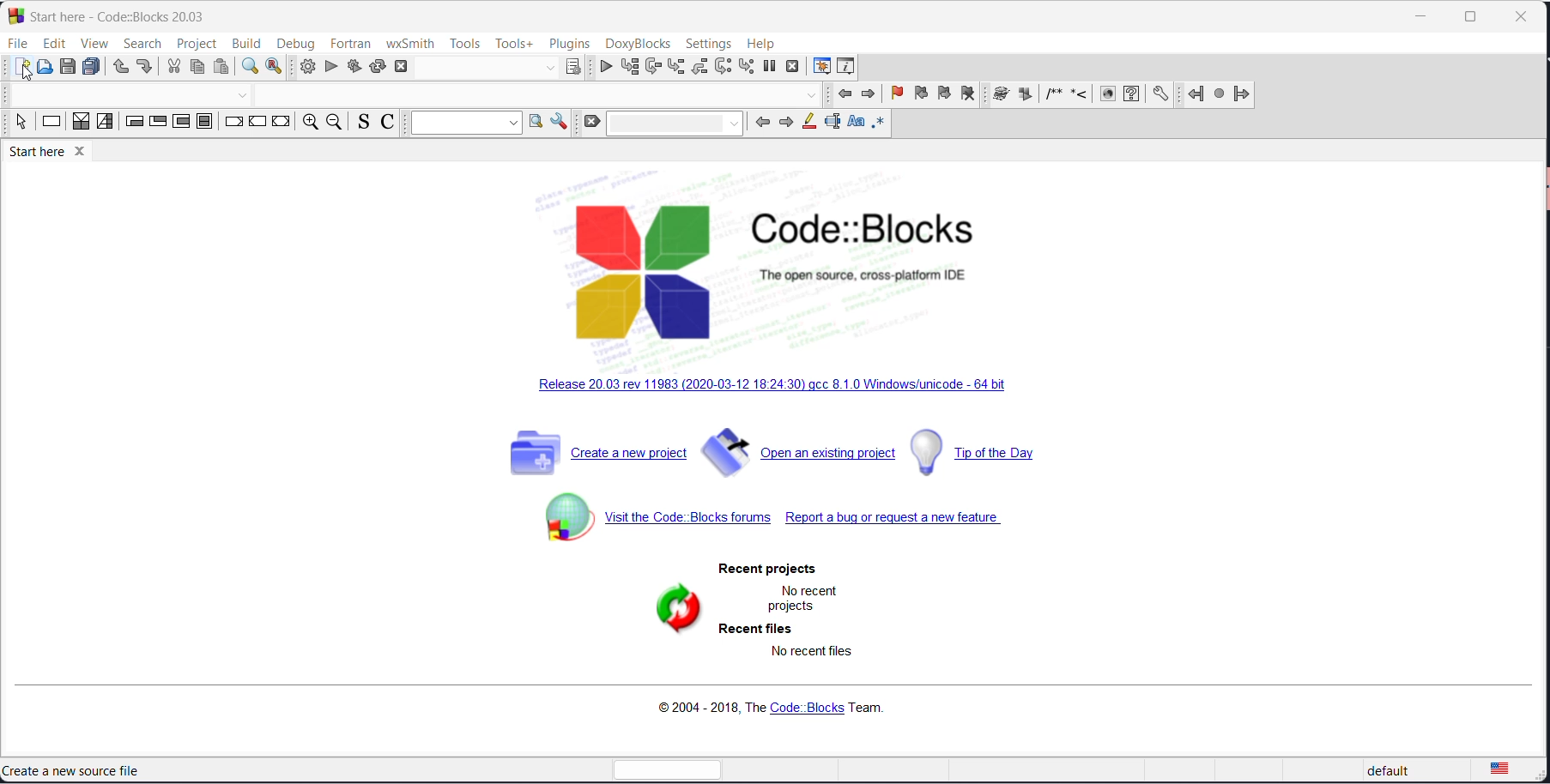 This screenshot has height=784, width=1550. I want to click on Search, so click(142, 43).